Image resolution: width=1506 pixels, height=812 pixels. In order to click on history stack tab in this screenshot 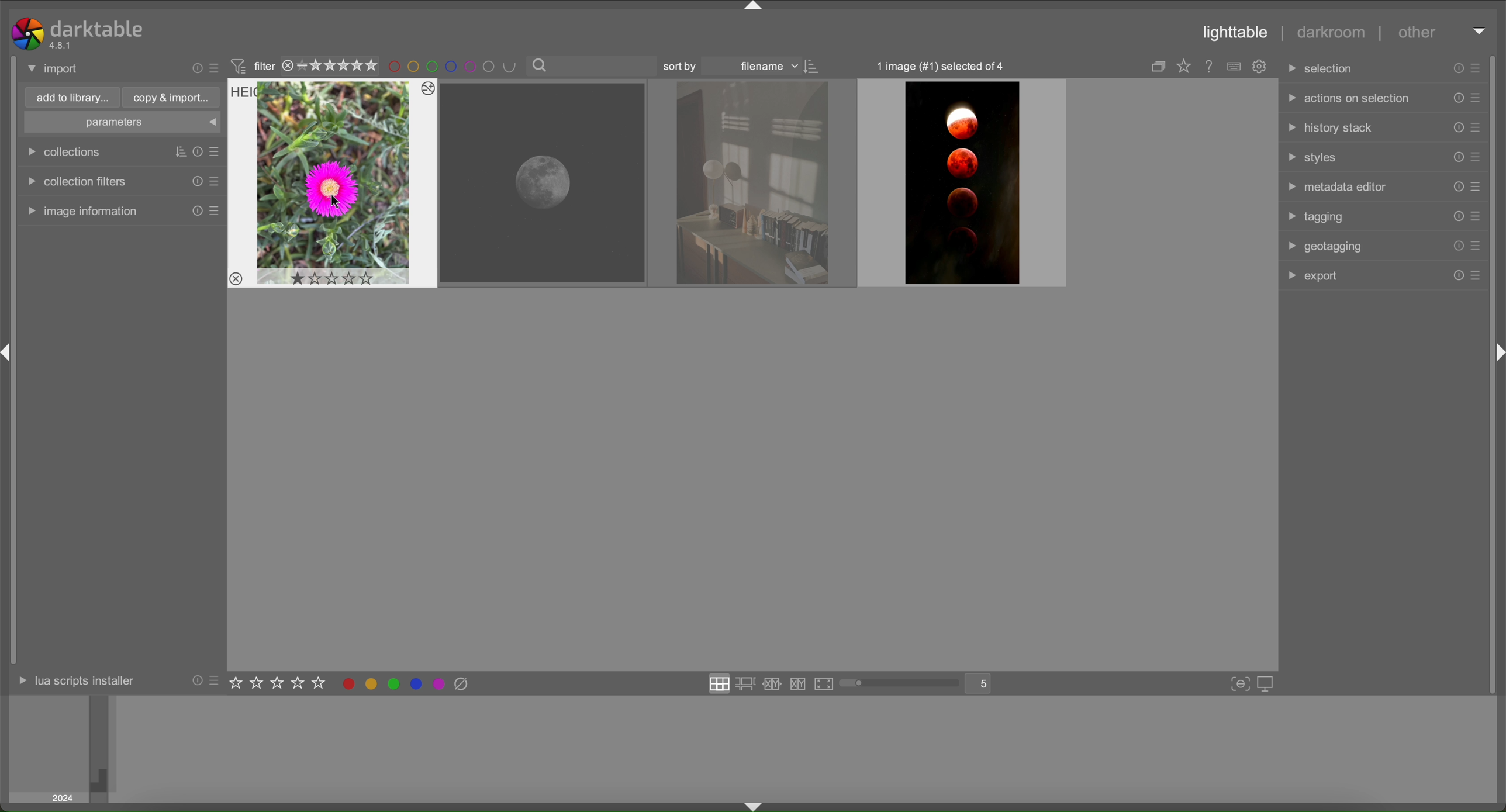, I will do `click(1331, 129)`.